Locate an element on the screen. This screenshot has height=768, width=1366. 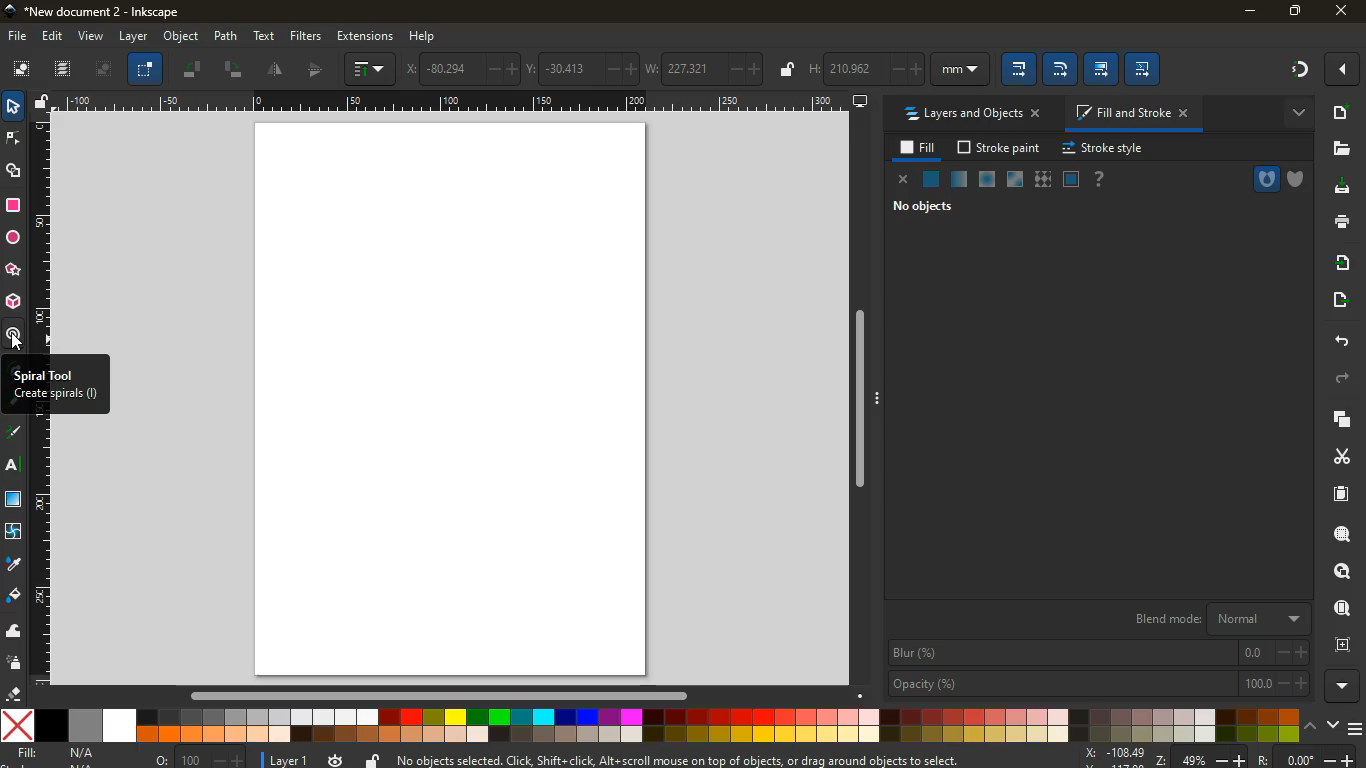
image is located at coordinates (441, 398).